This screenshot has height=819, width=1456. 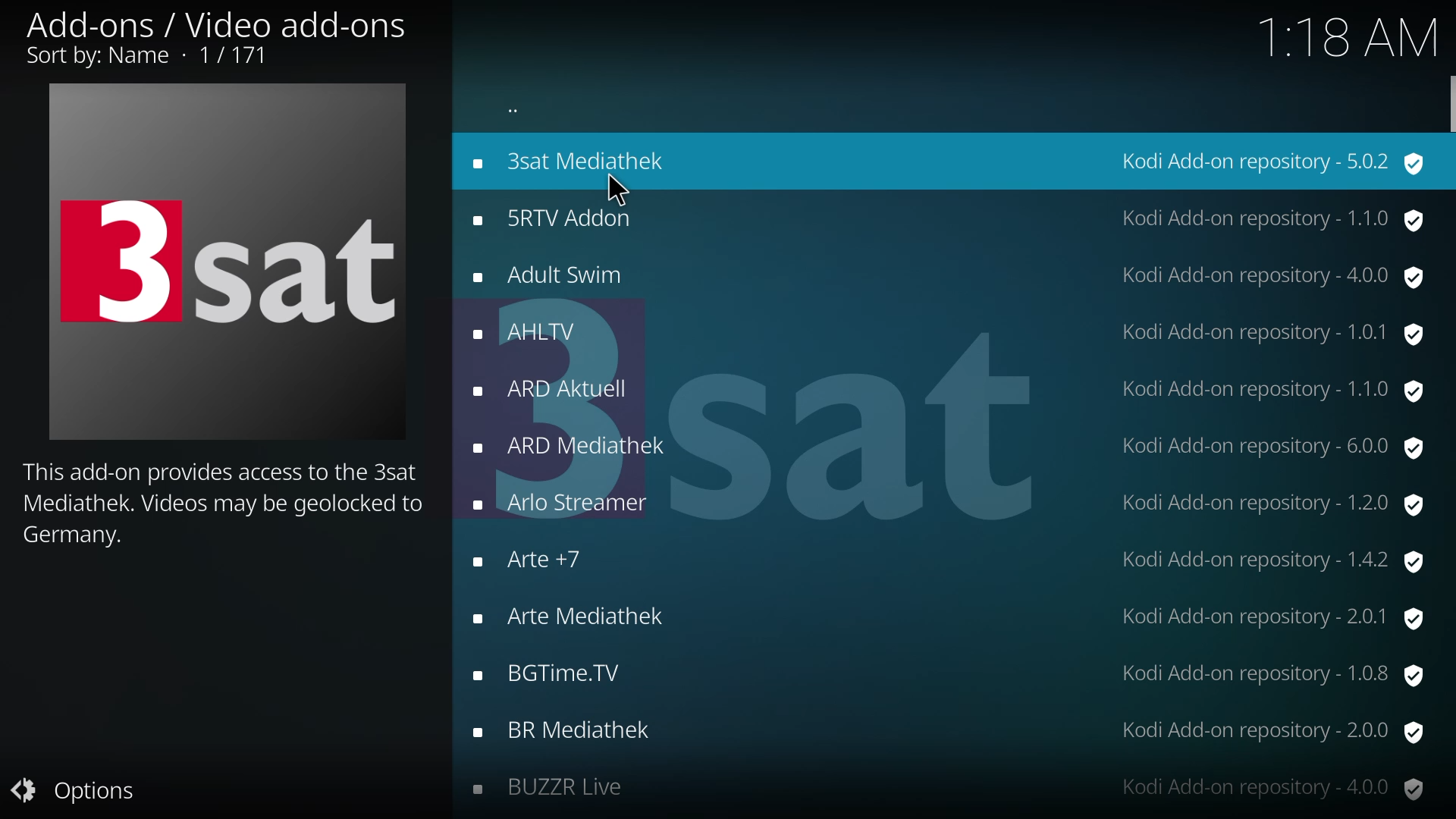 What do you see at coordinates (148, 58) in the screenshot?
I see `sort` at bounding box center [148, 58].